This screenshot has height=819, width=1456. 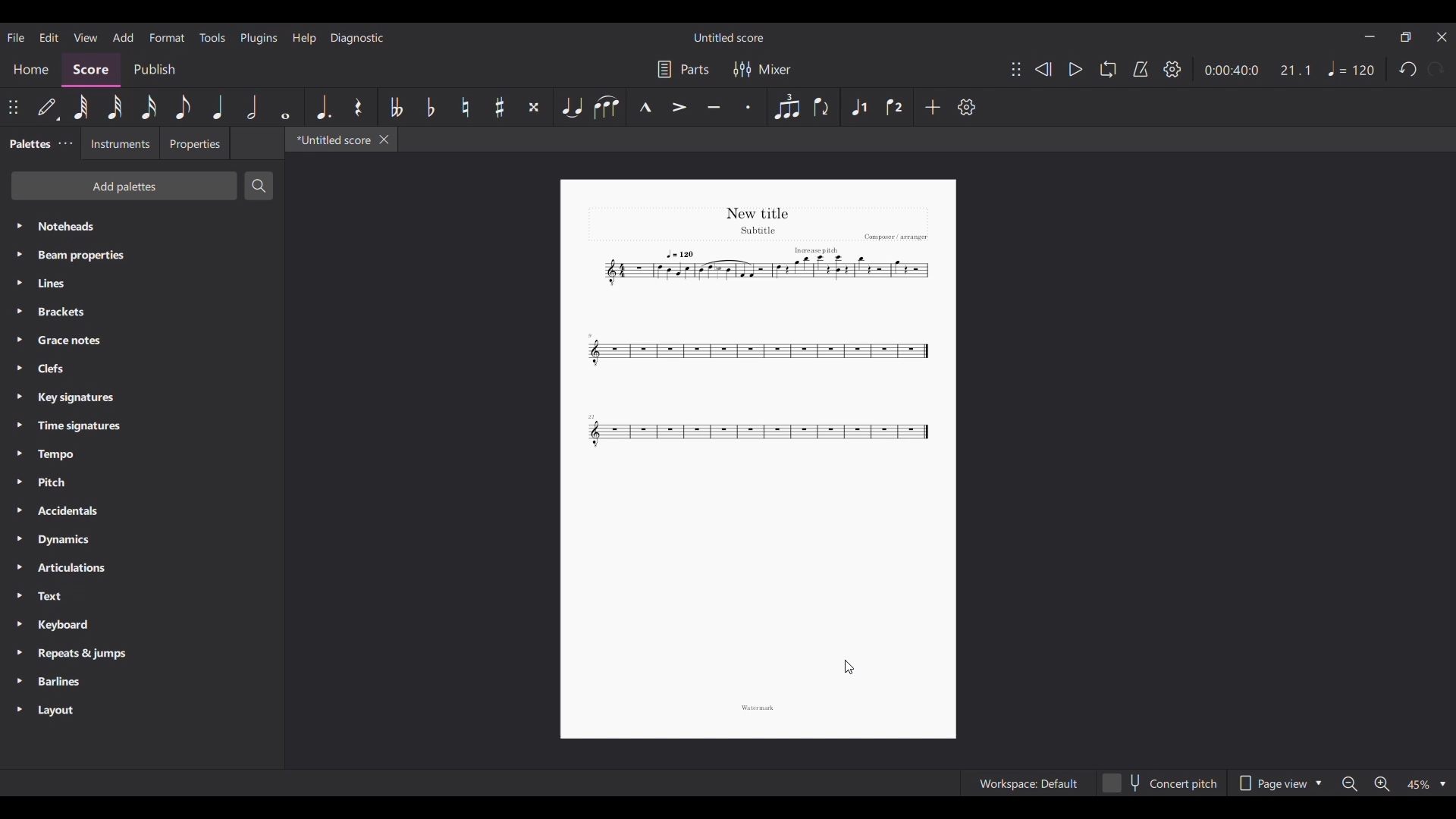 I want to click on Workspace: Default, so click(x=1027, y=783).